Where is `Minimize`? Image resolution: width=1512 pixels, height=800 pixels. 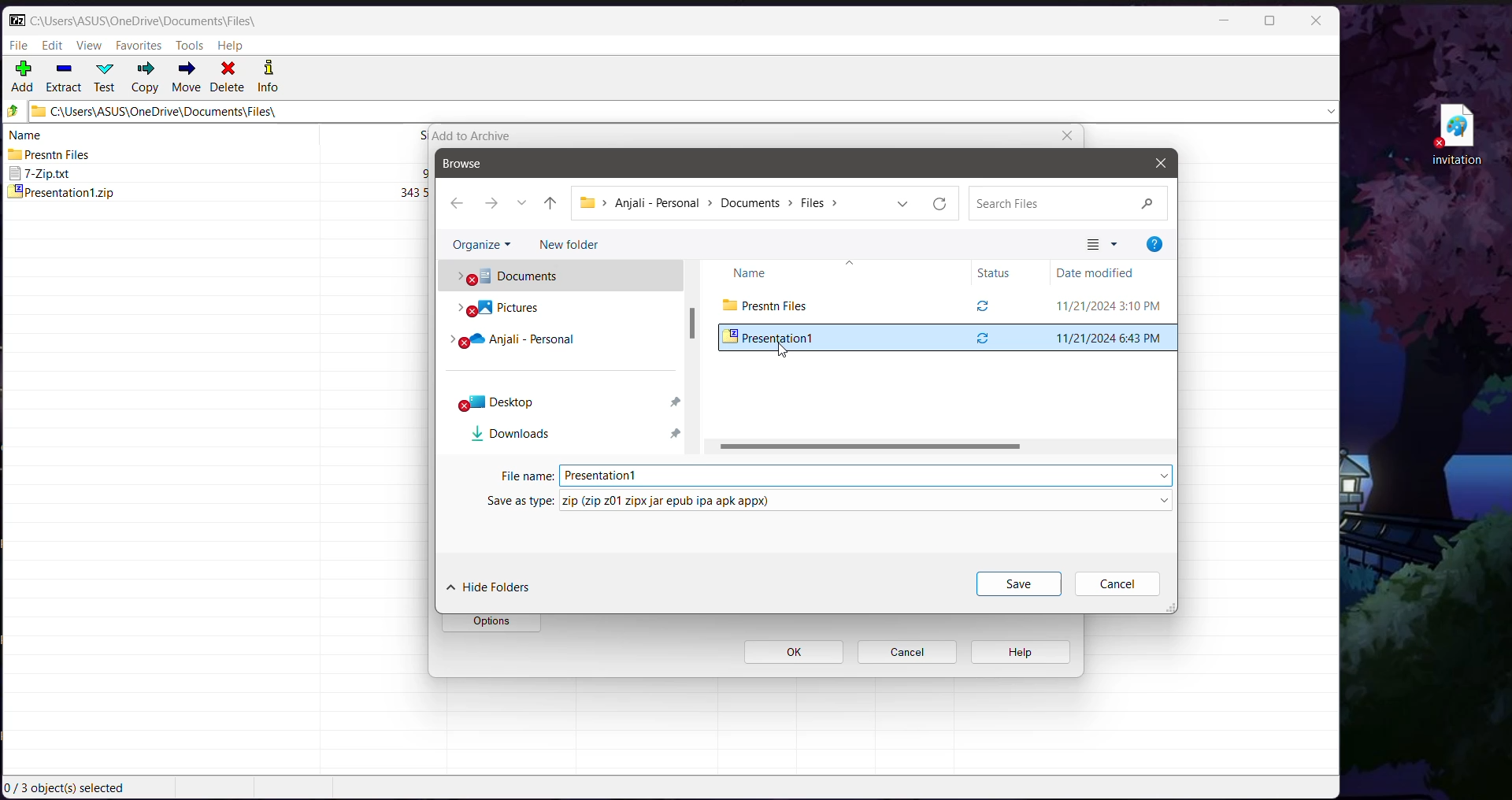 Minimize is located at coordinates (1226, 21).